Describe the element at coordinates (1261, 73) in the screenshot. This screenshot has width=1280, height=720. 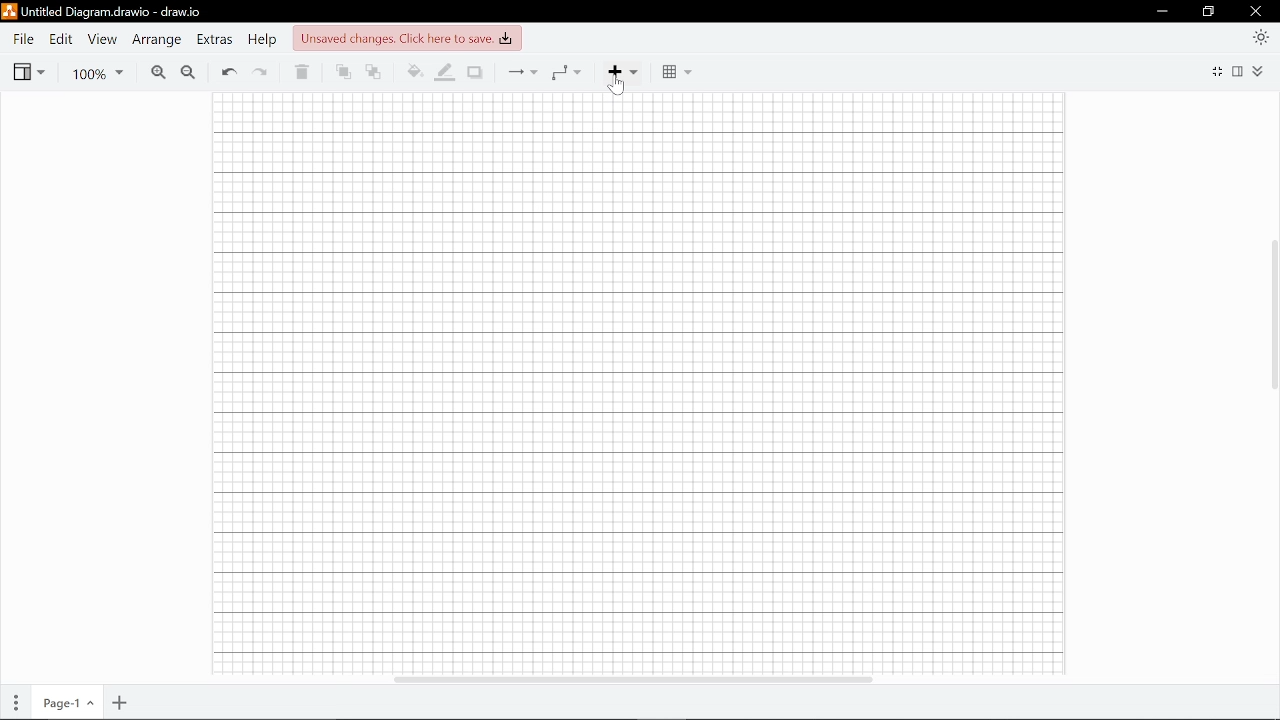
I see `Collapse/expand` at that location.